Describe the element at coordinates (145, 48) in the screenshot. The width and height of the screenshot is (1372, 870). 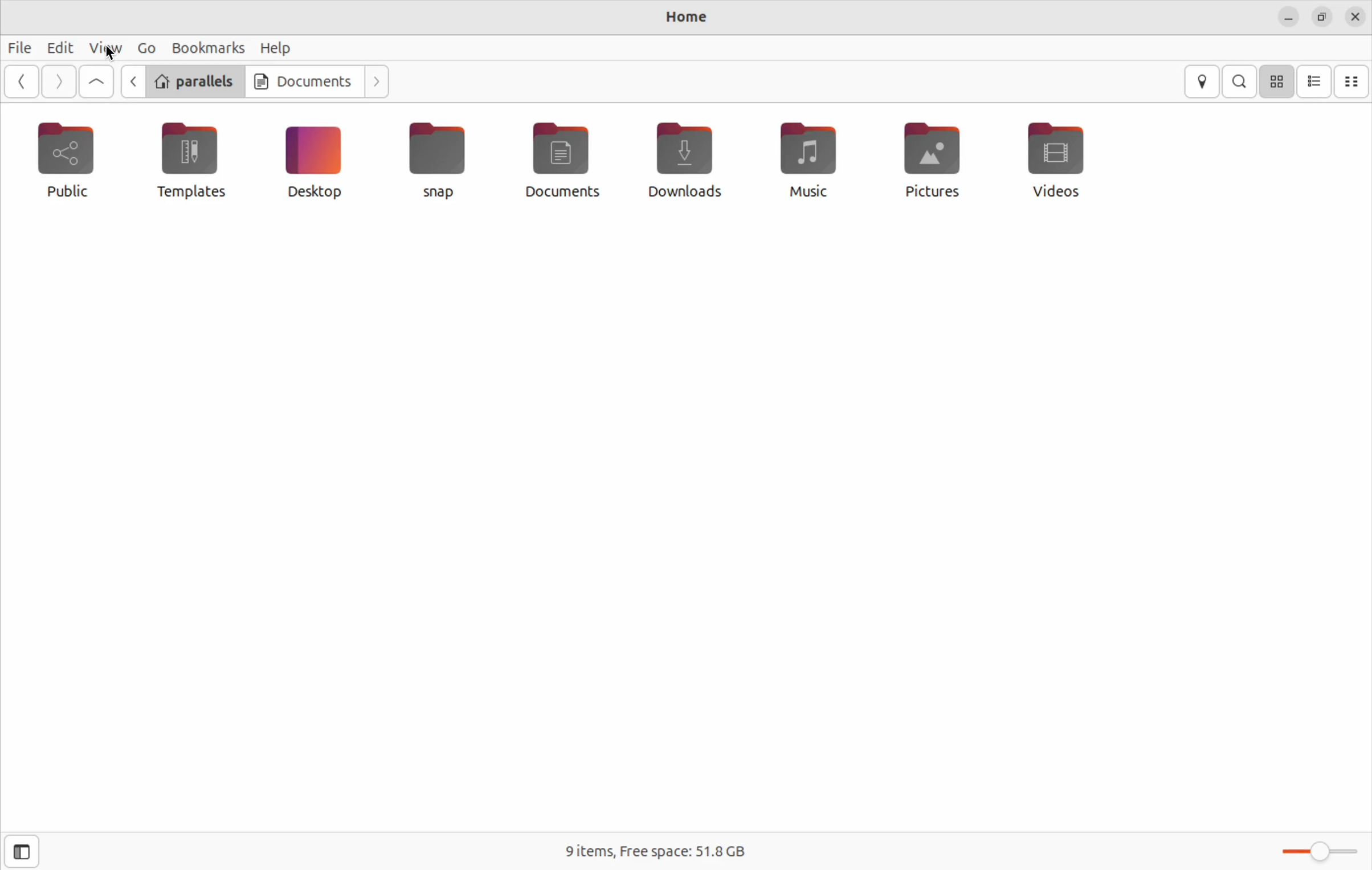
I see `Go` at that location.